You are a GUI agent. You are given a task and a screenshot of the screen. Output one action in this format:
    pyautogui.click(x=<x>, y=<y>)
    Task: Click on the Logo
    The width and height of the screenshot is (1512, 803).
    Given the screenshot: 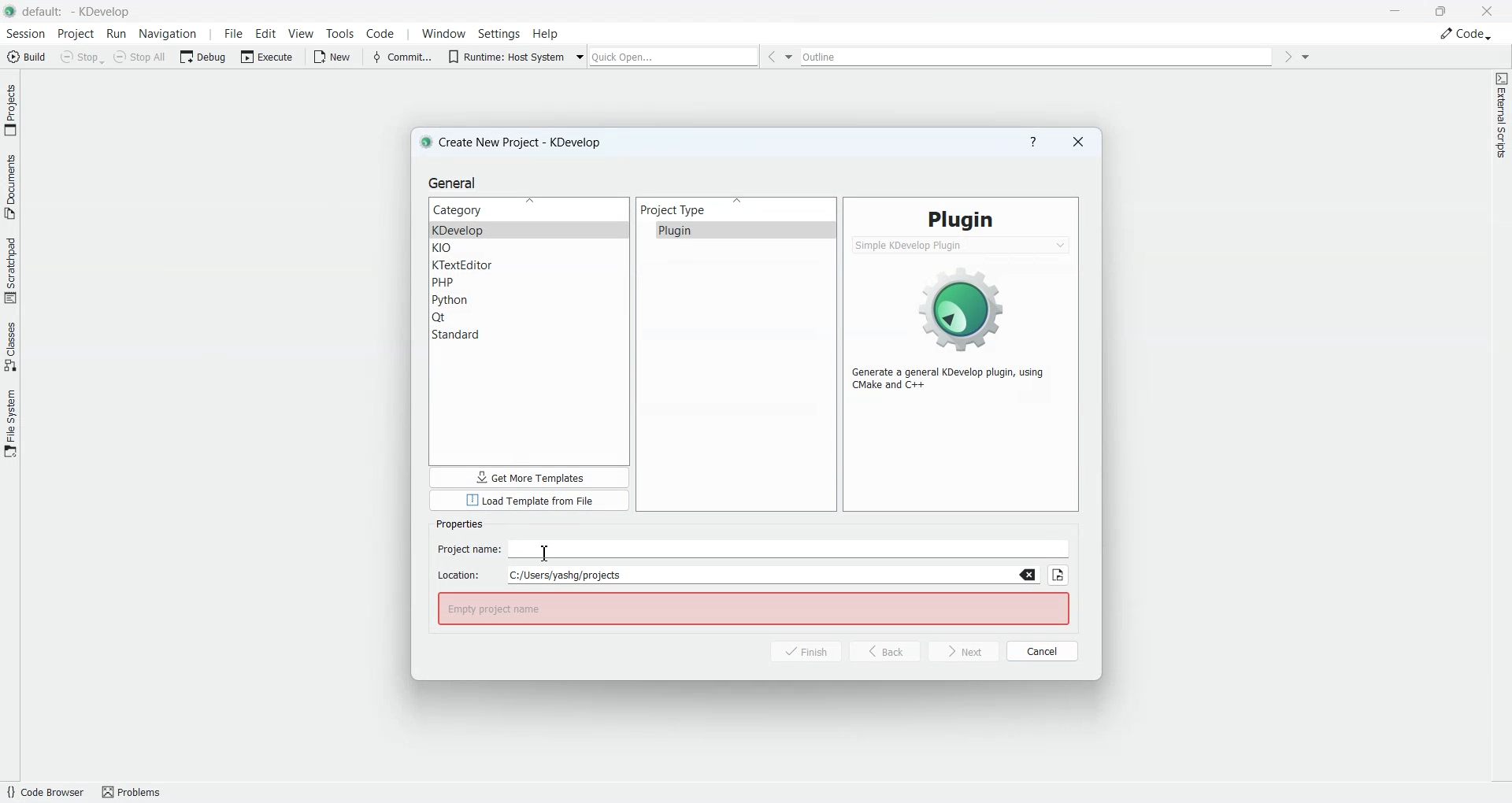 What is the action you would take?
    pyautogui.click(x=963, y=306)
    